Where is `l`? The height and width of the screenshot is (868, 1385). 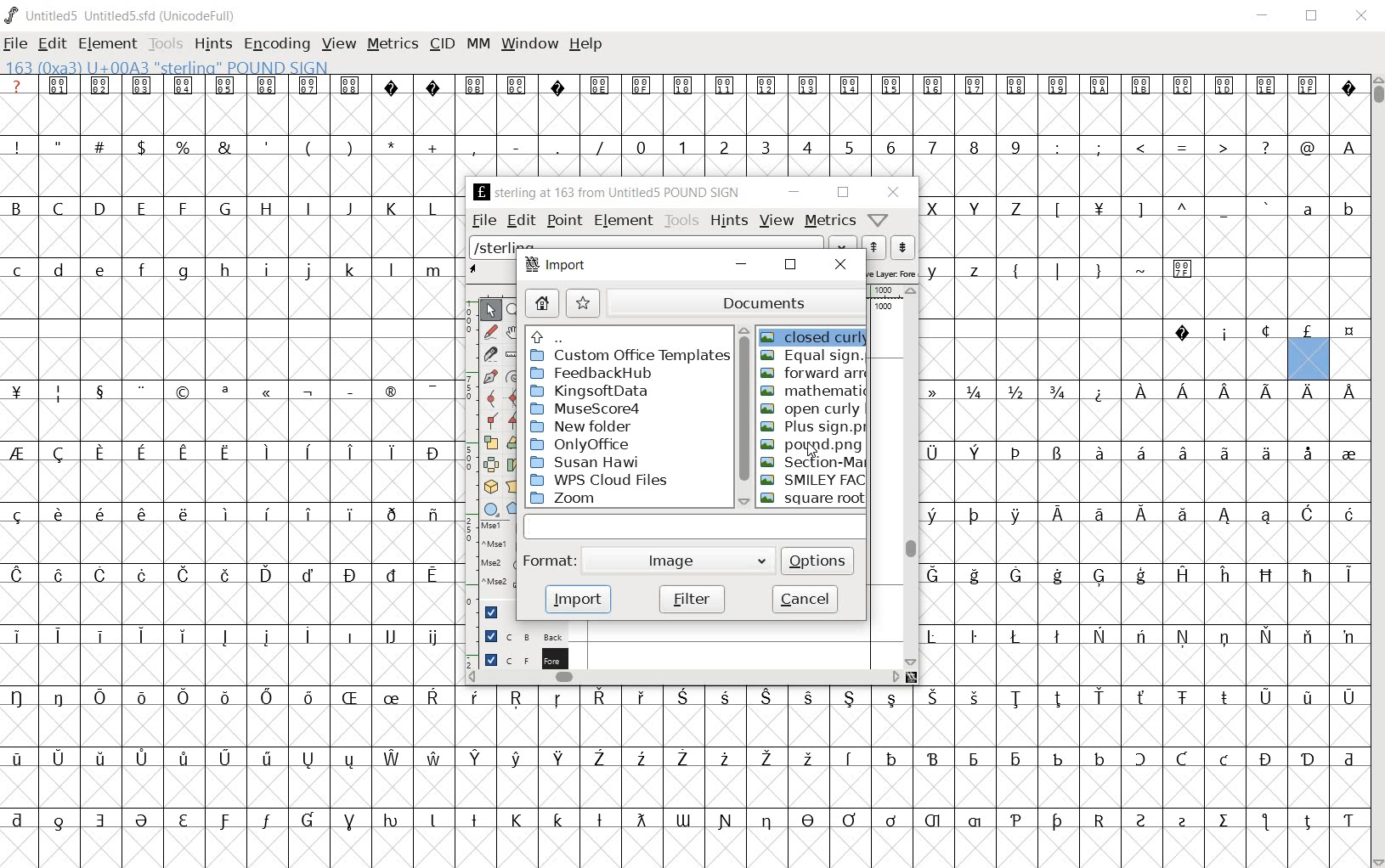 l is located at coordinates (392, 269).